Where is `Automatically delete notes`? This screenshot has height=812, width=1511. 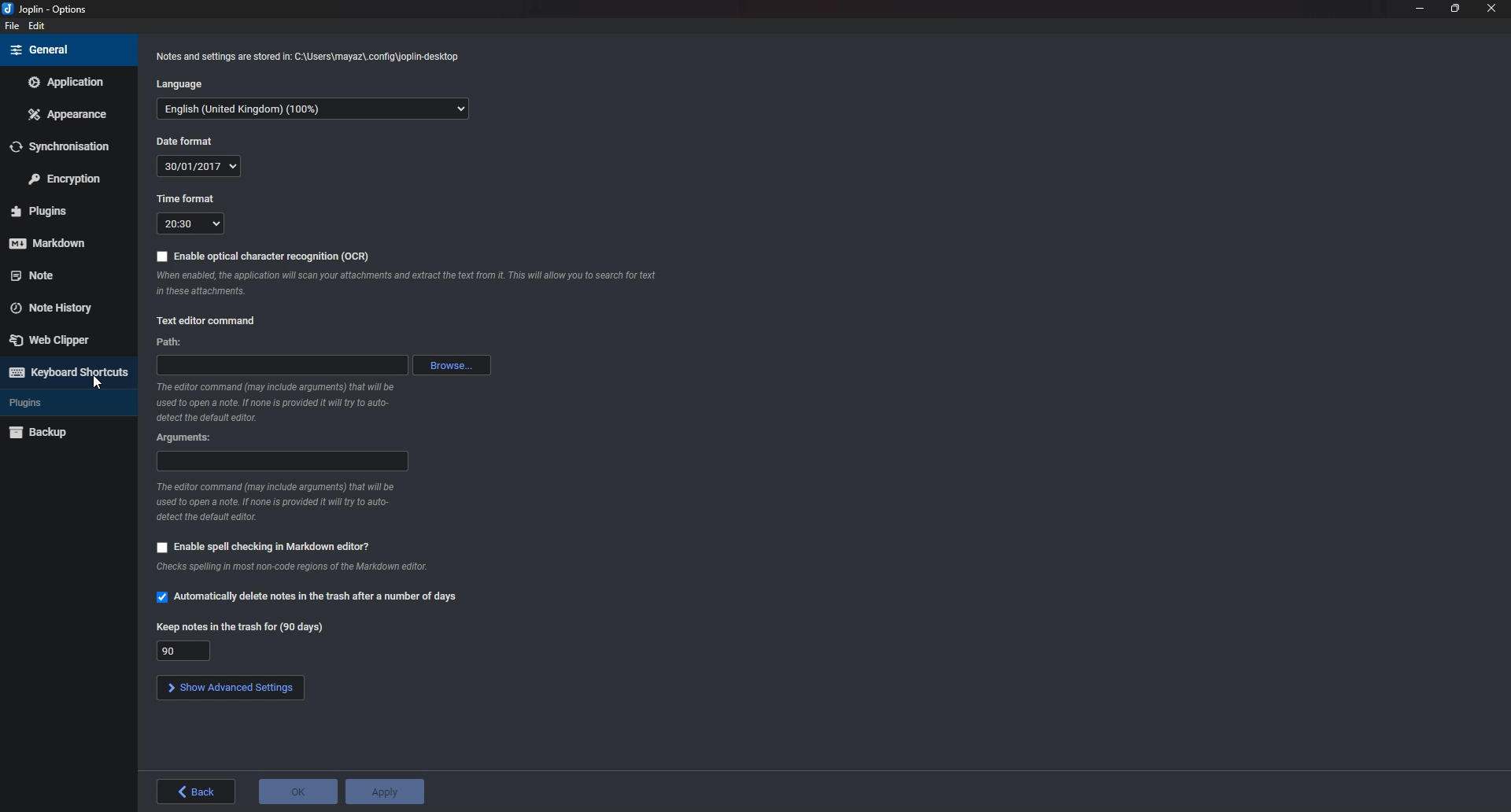 Automatically delete notes is located at coordinates (310, 598).